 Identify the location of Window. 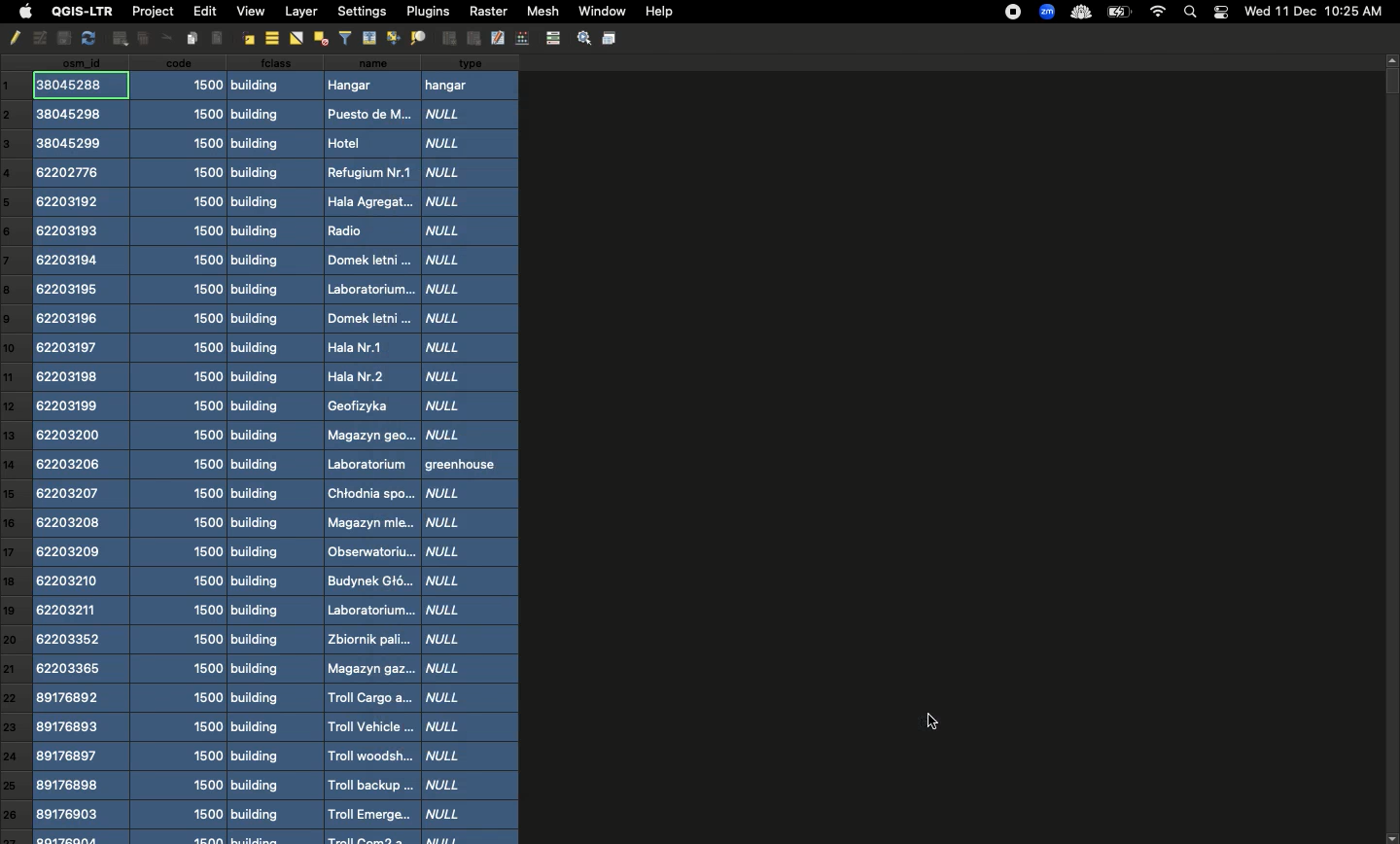
(599, 10).